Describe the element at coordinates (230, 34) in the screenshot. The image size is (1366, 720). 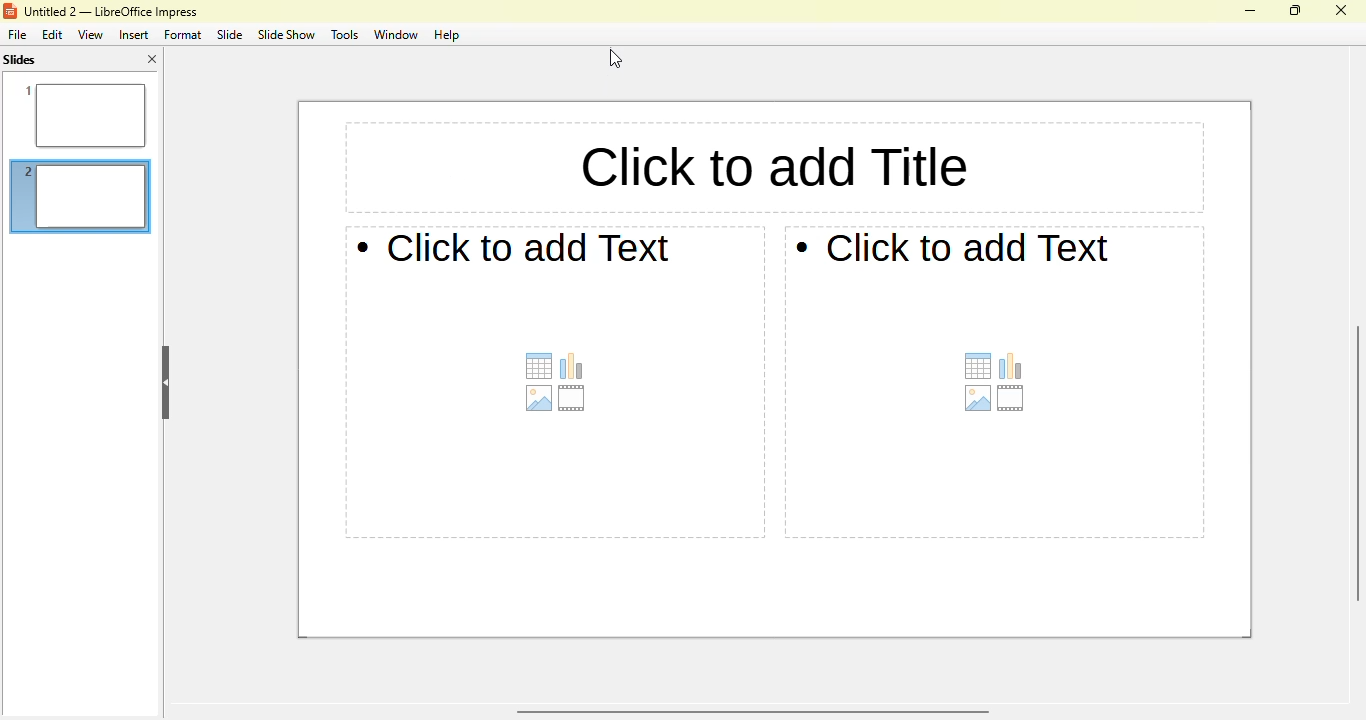
I see `slide` at that location.